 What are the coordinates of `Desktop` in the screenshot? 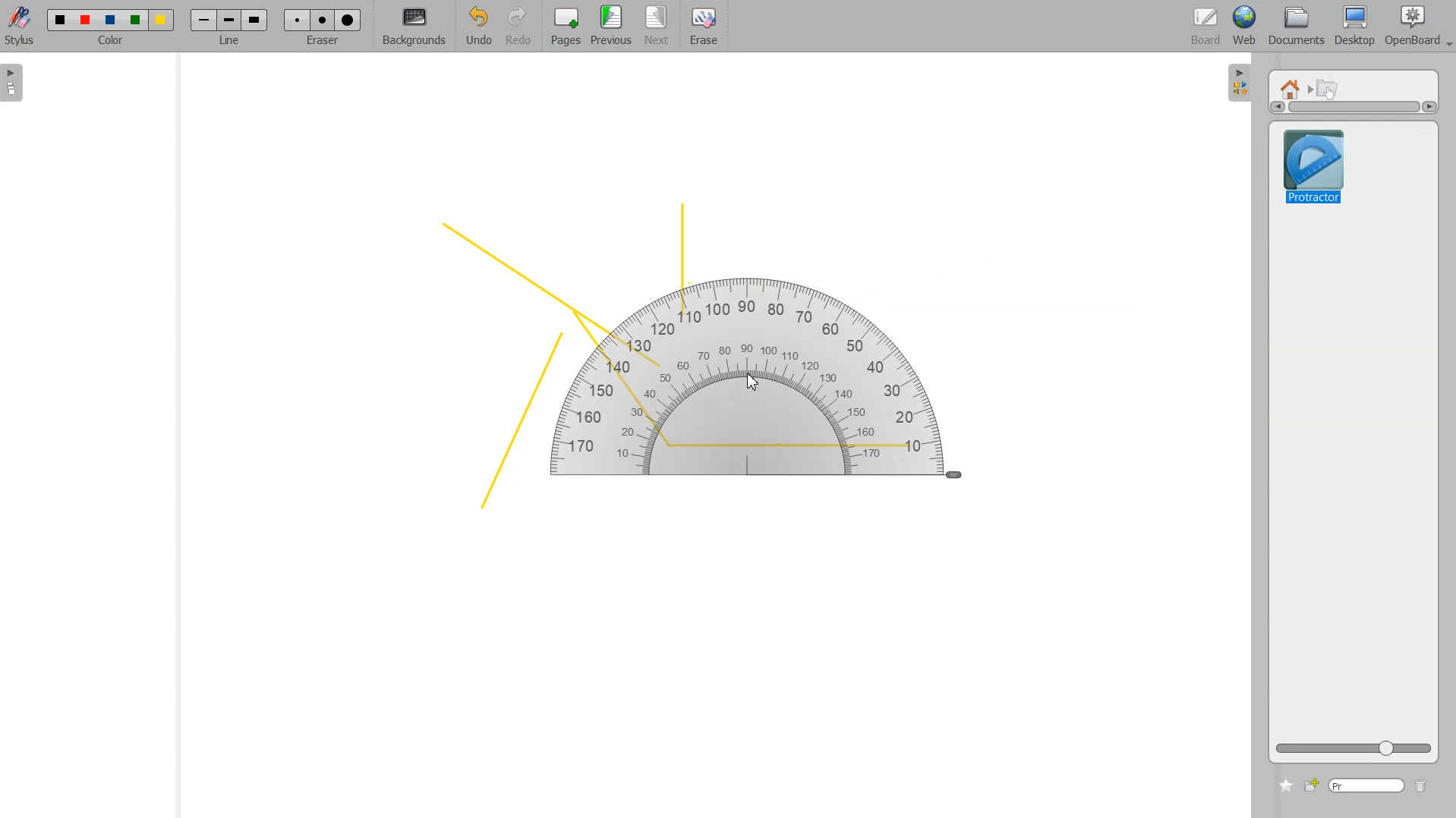 It's located at (1354, 27).